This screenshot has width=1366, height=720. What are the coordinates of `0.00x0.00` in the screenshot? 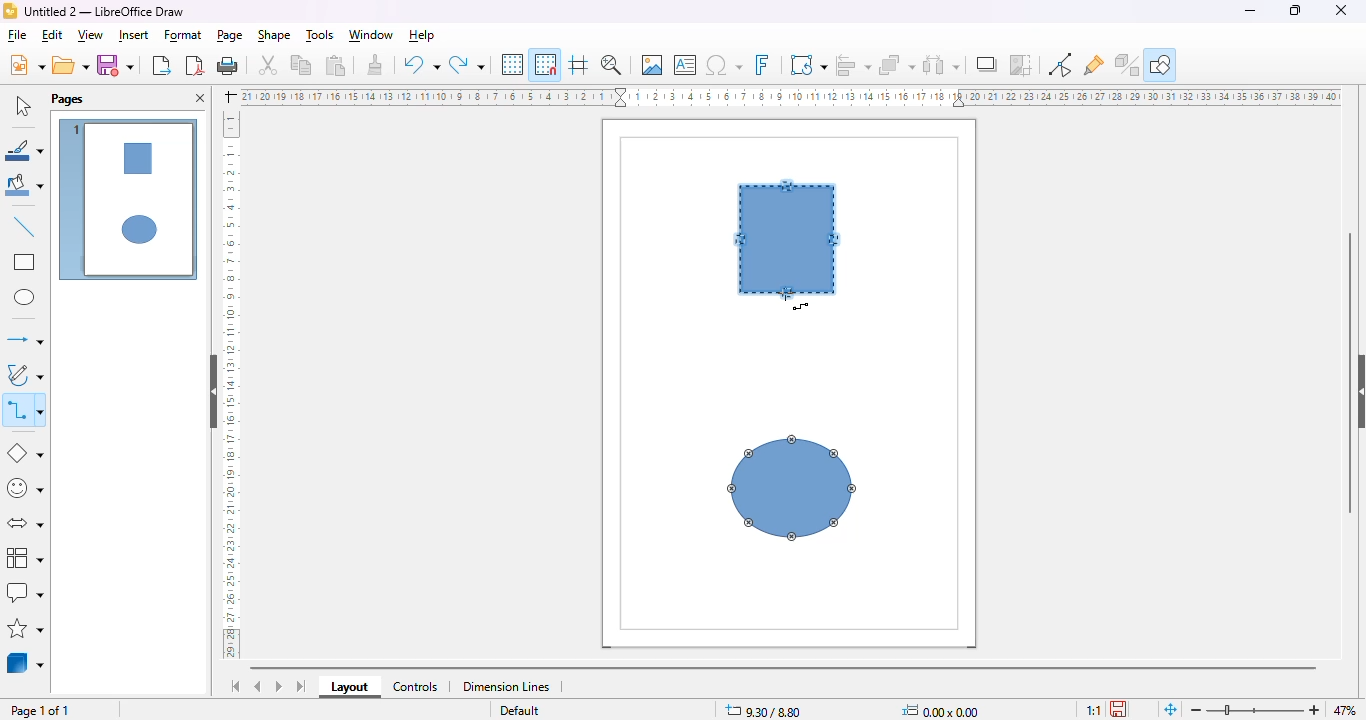 It's located at (943, 709).